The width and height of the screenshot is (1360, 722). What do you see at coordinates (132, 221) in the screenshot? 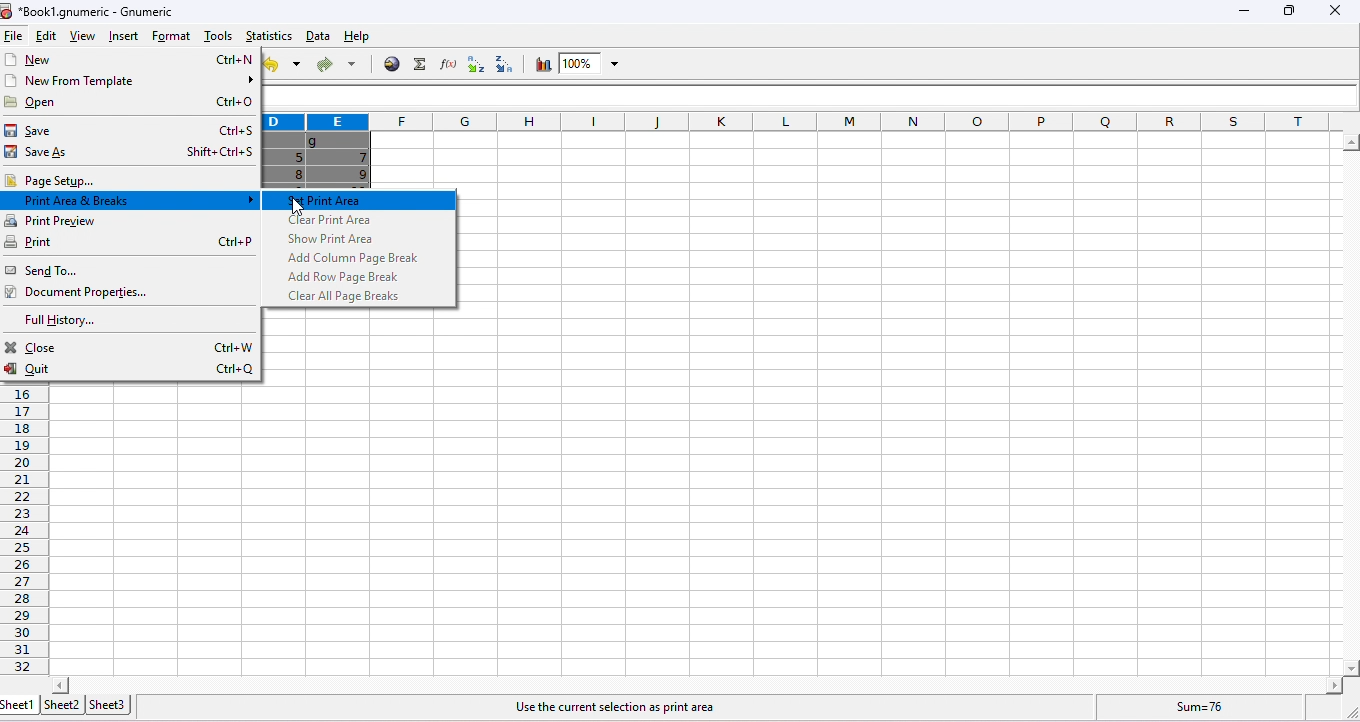
I see `print preview` at bounding box center [132, 221].